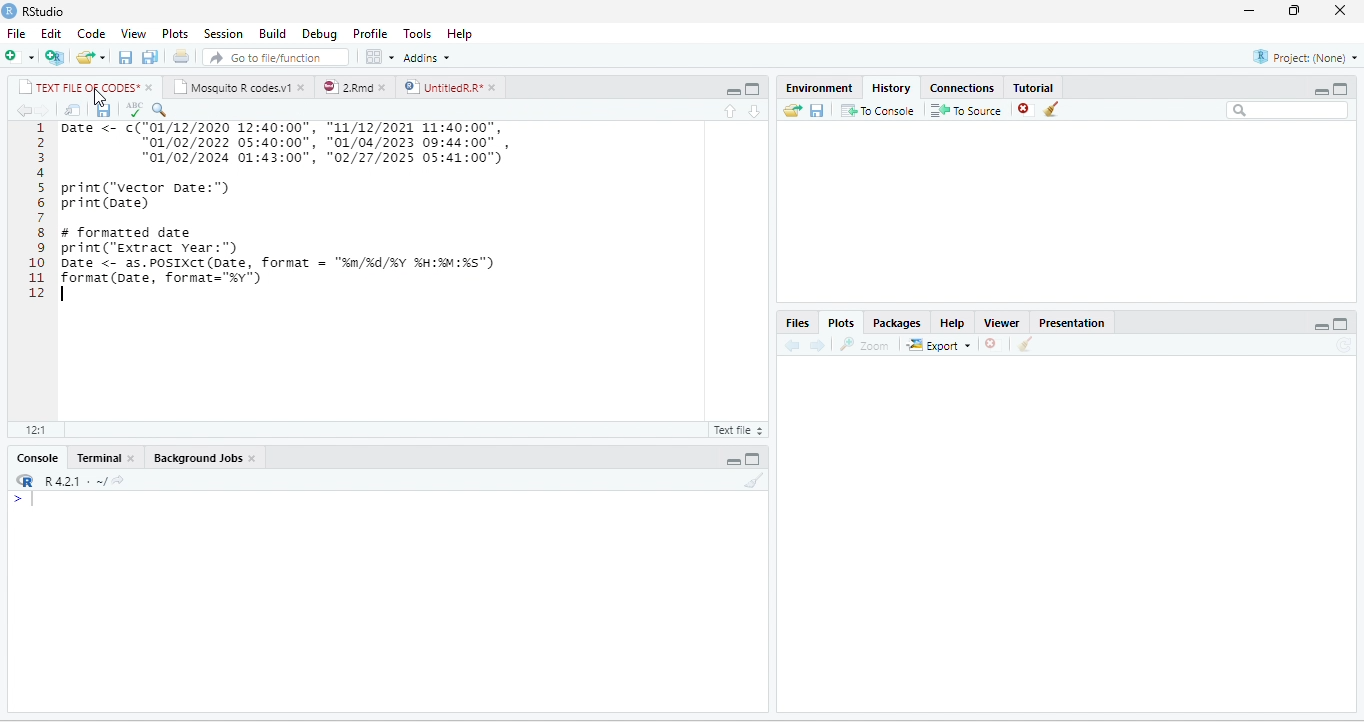 The height and width of the screenshot is (722, 1364). What do you see at coordinates (381, 57) in the screenshot?
I see `options` at bounding box center [381, 57].